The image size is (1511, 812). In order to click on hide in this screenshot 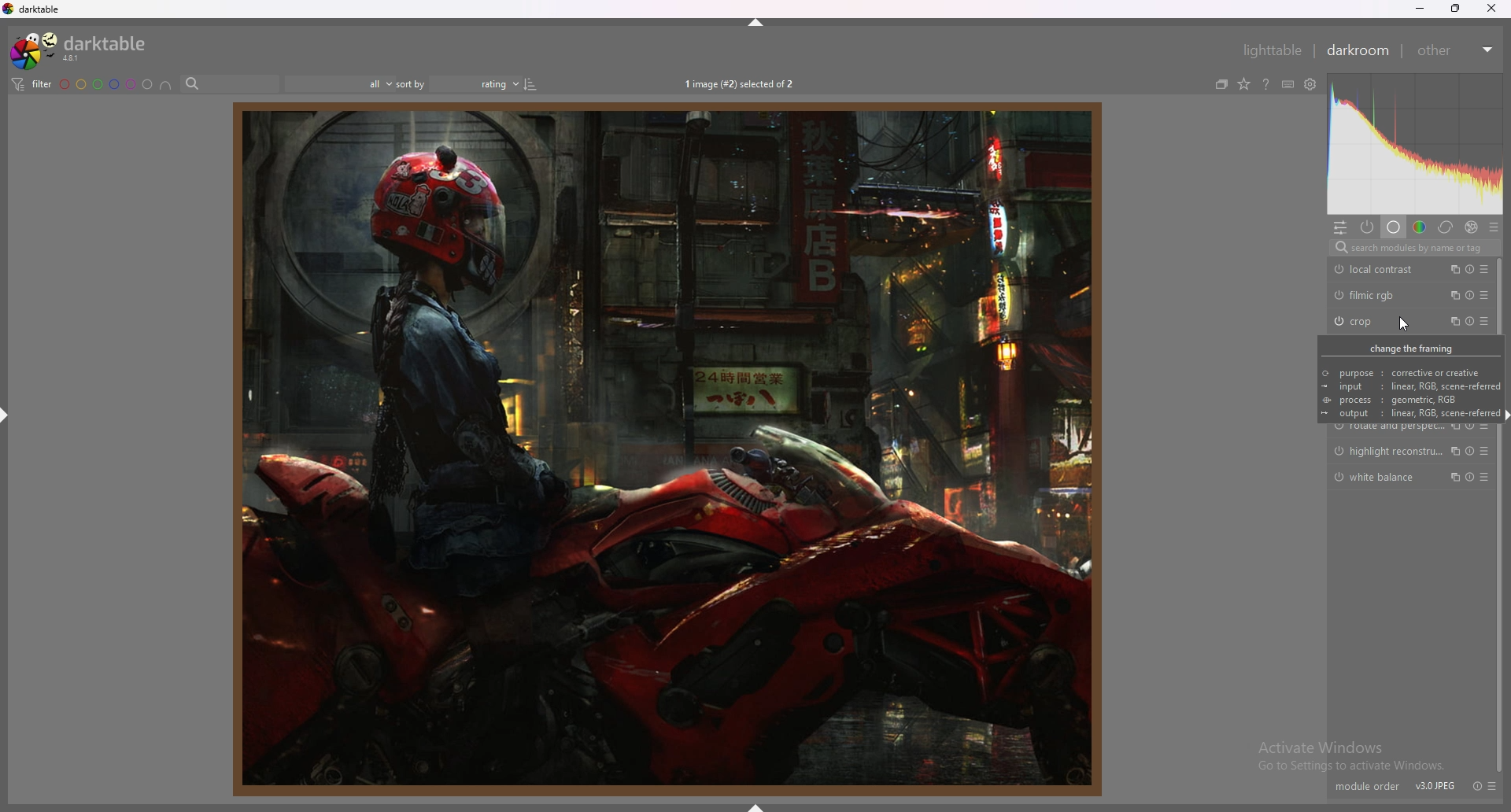, I will do `click(755, 806)`.